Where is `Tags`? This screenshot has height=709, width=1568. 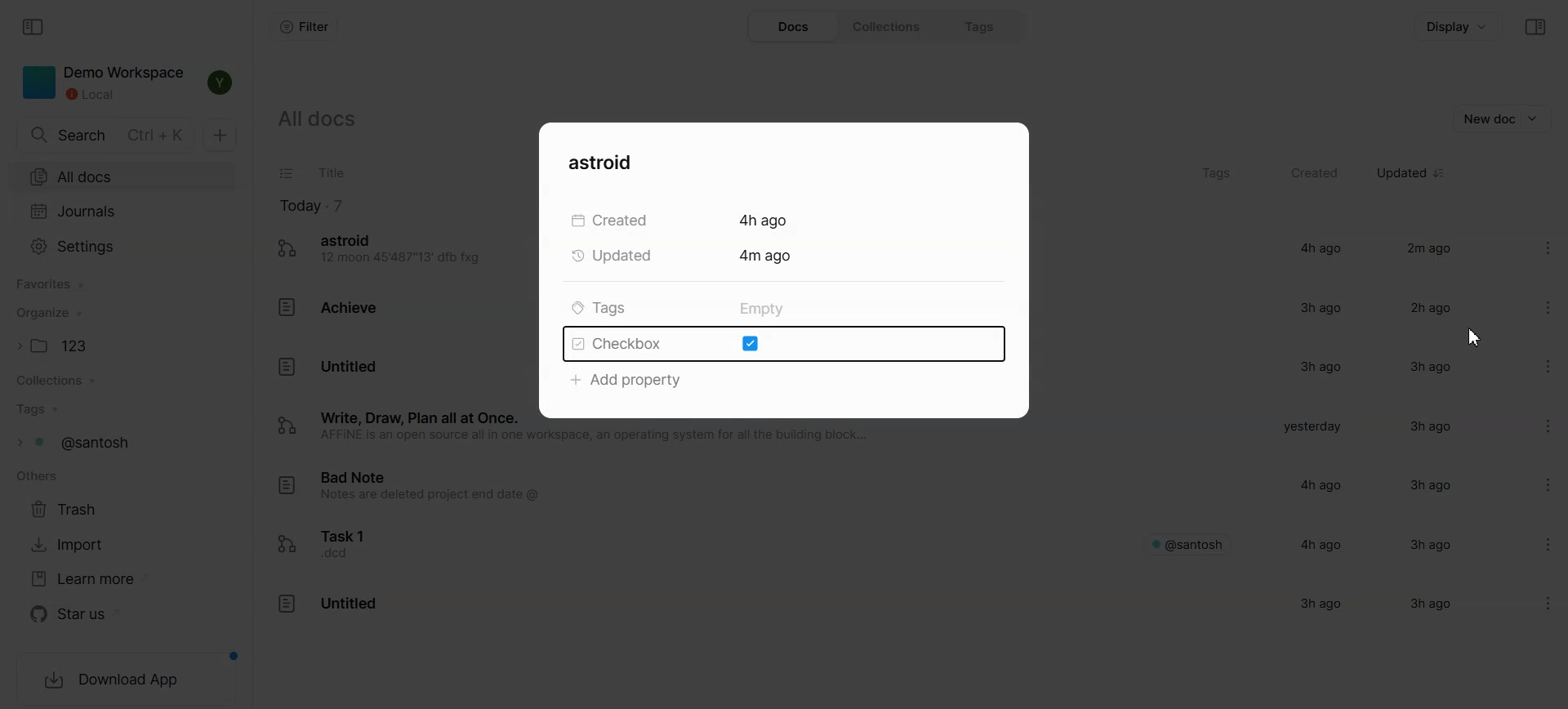 Tags is located at coordinates (121, 443).